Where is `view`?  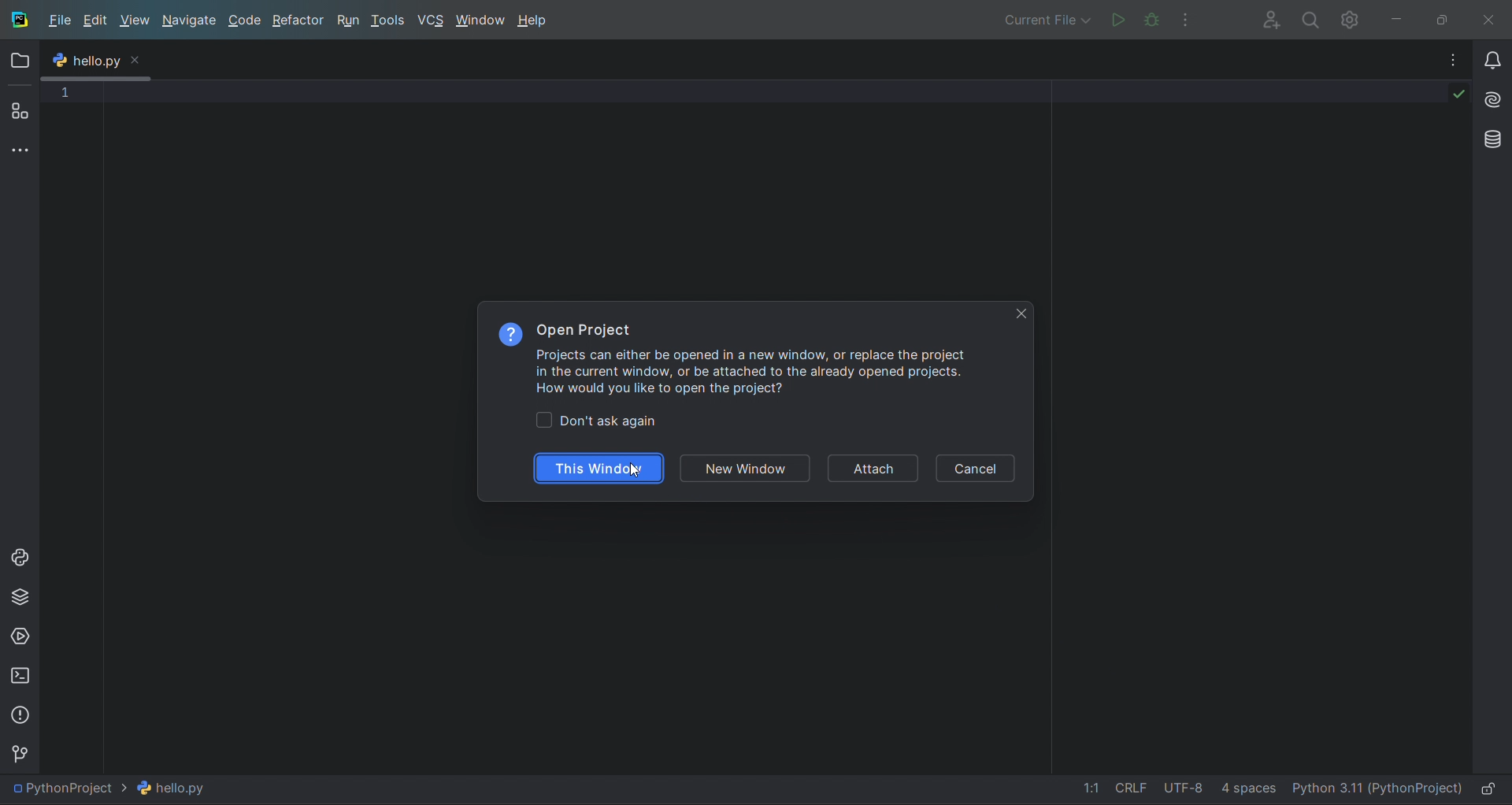 view is located at coordinates (134, 20).